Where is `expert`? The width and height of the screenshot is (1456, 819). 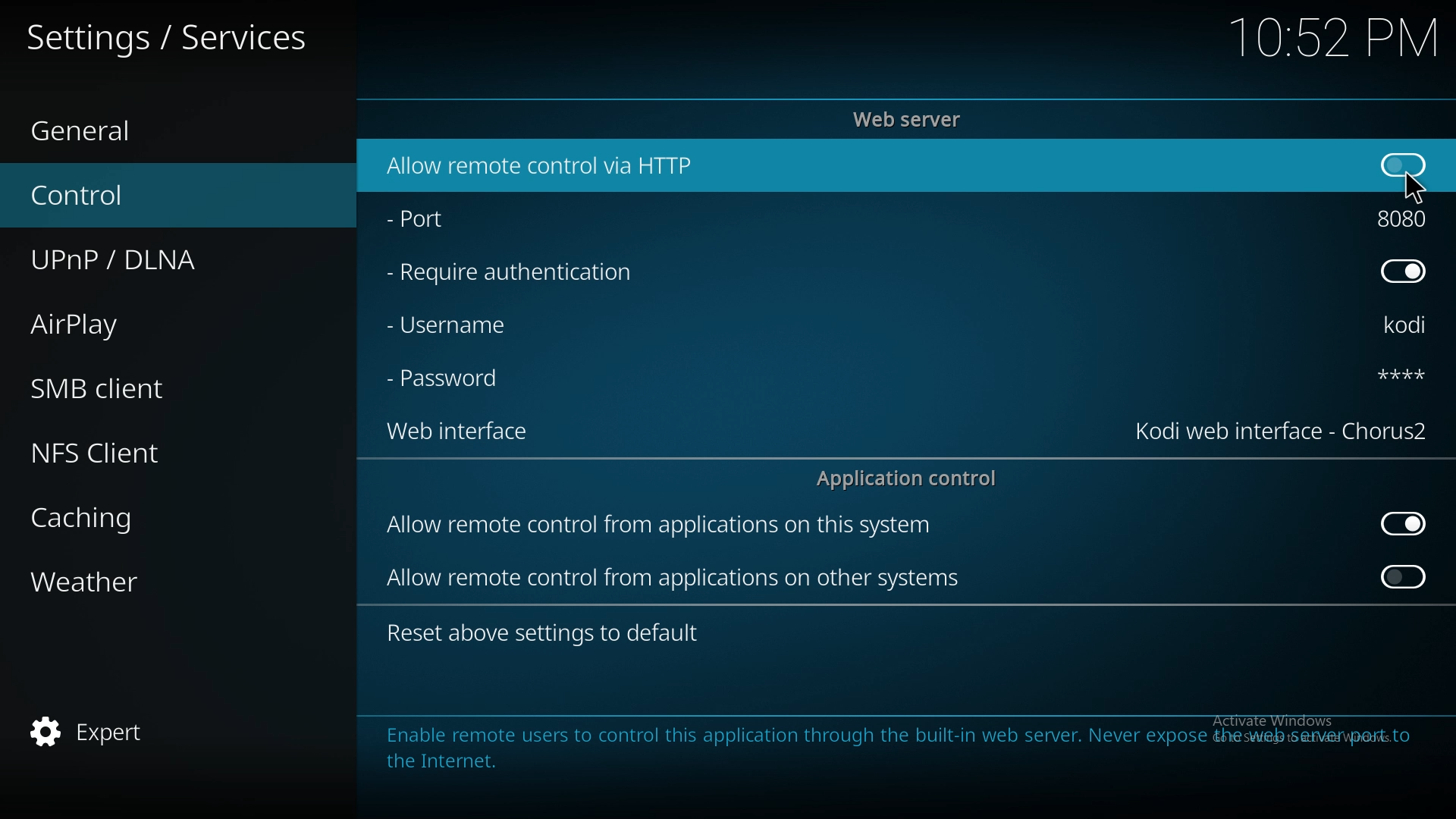 expert is located at coordinates (155, 729).